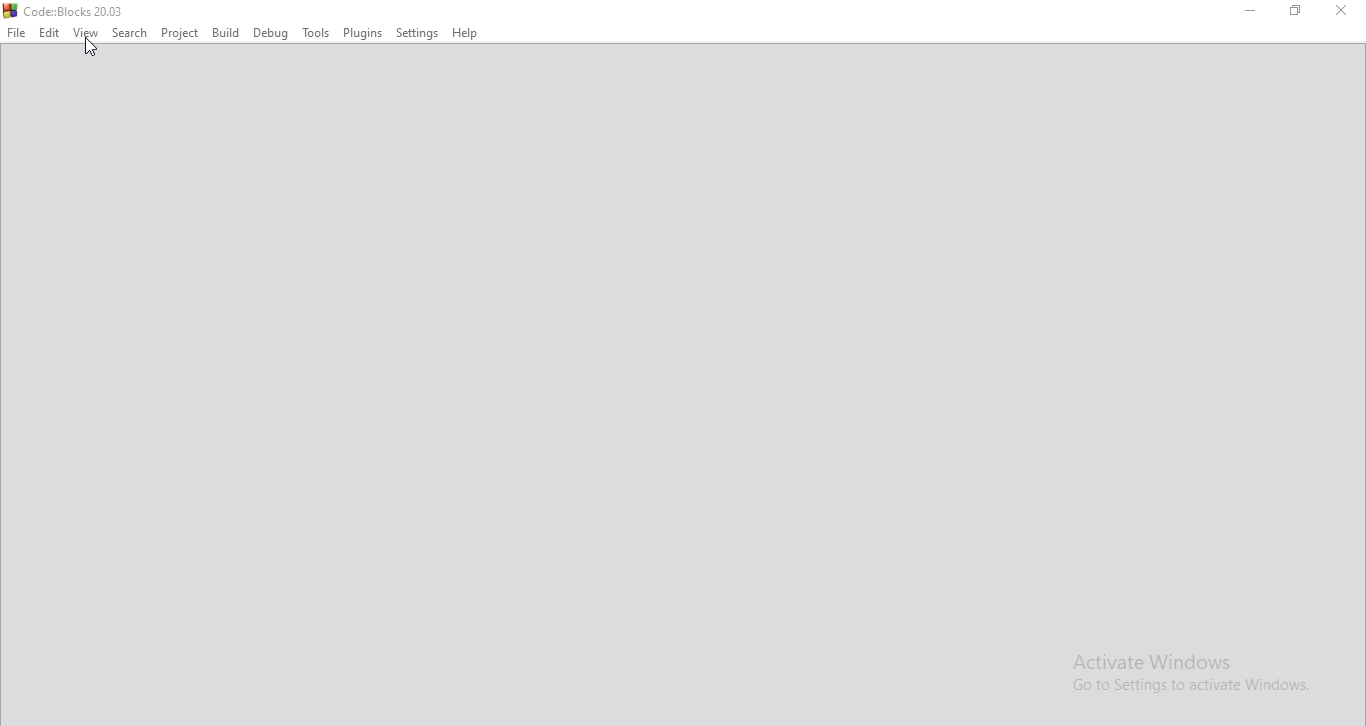  Describe the element at coordinates (417, 32) in the screenshot. I see `Settings ` at that location.